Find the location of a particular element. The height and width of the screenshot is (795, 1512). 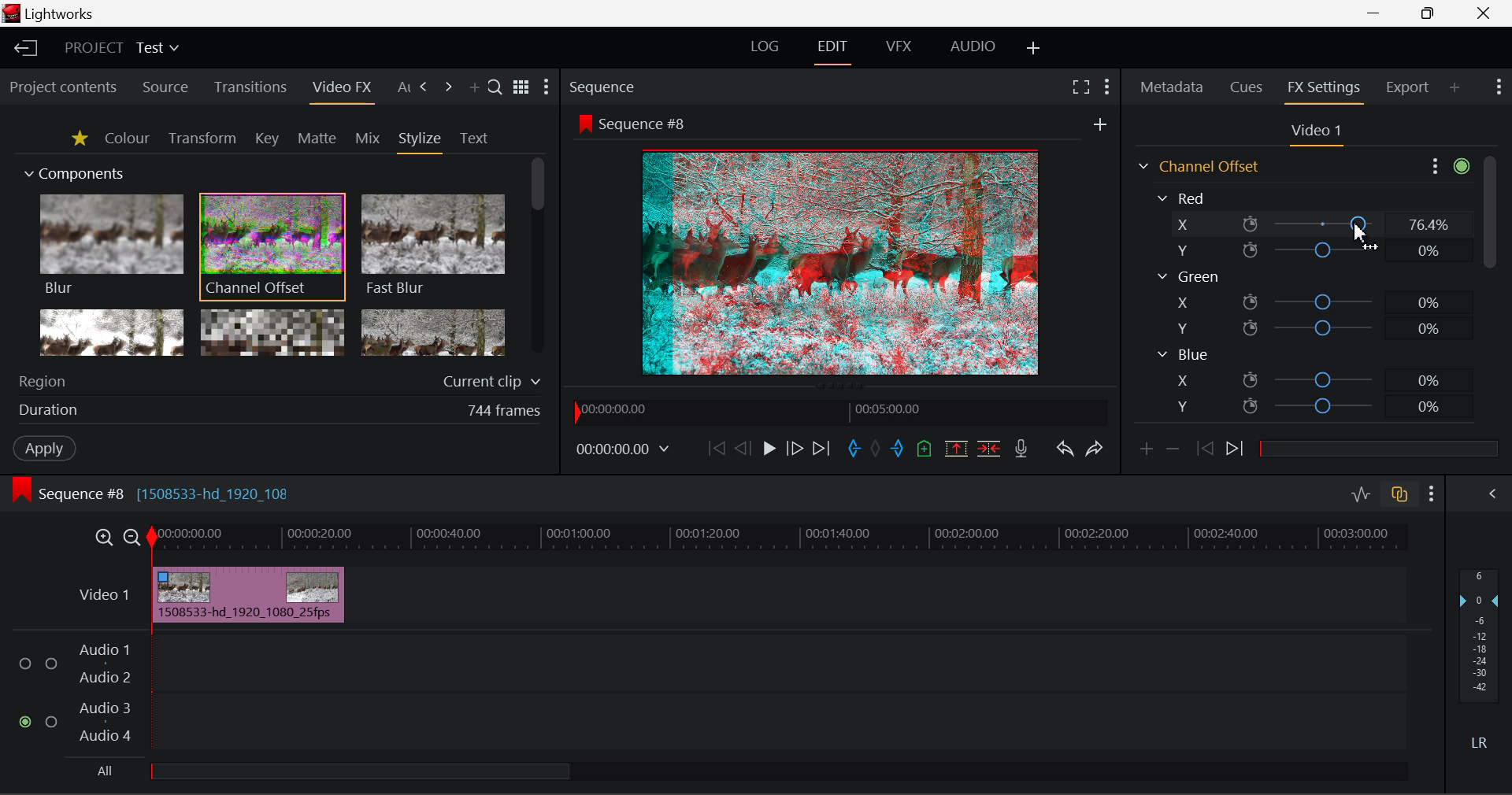

Frame Duration is located at coordinates (280, 412).